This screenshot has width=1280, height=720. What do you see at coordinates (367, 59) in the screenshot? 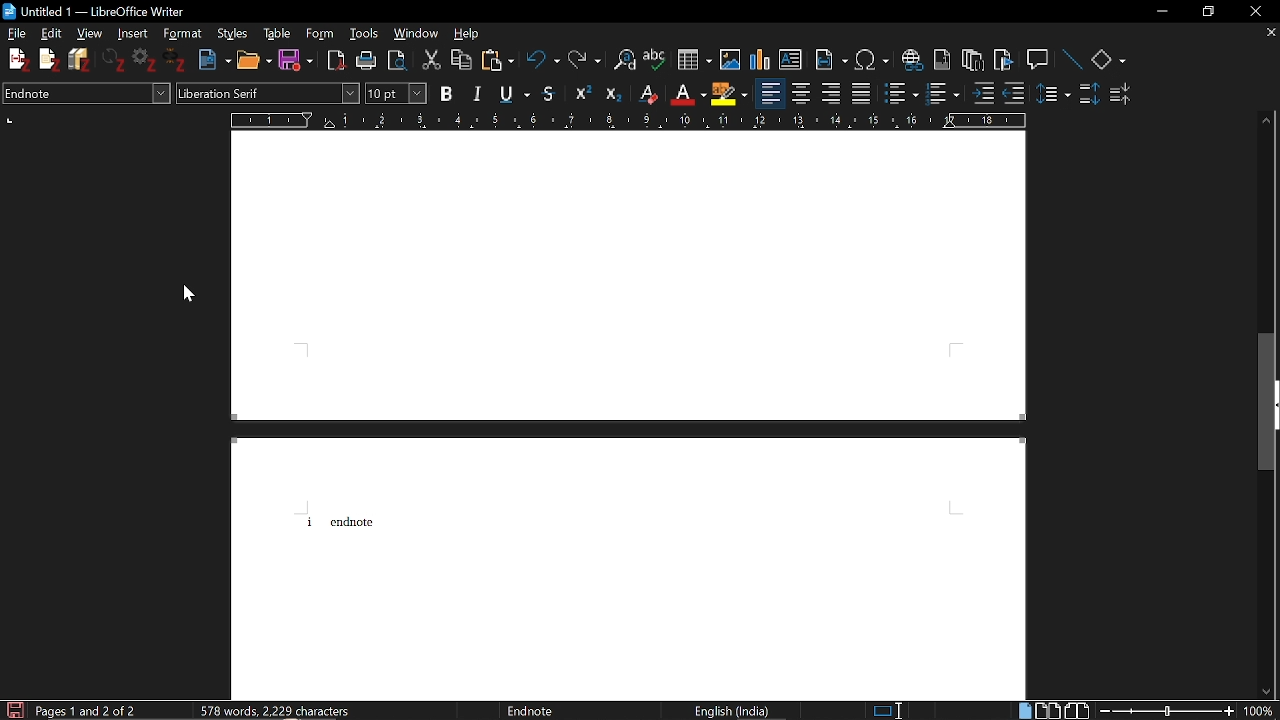
I see `Print` at bounding box center [367, 59].